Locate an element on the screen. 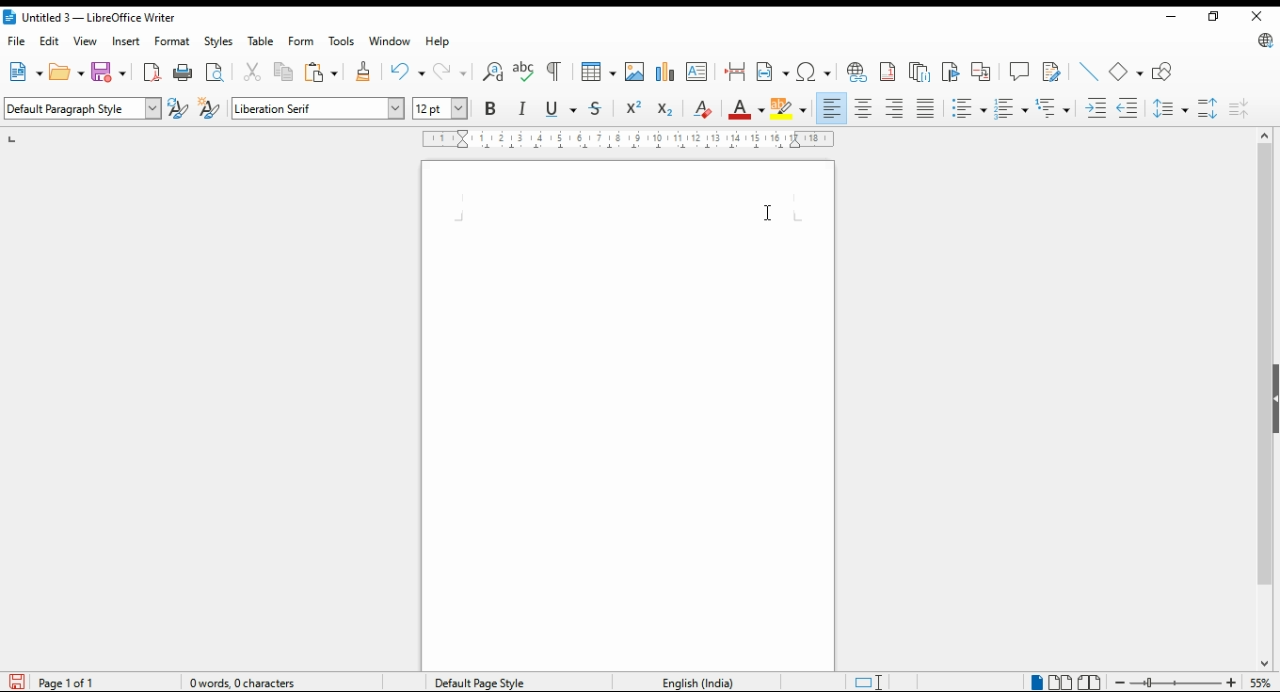  file is located at coordinates (17, 41).